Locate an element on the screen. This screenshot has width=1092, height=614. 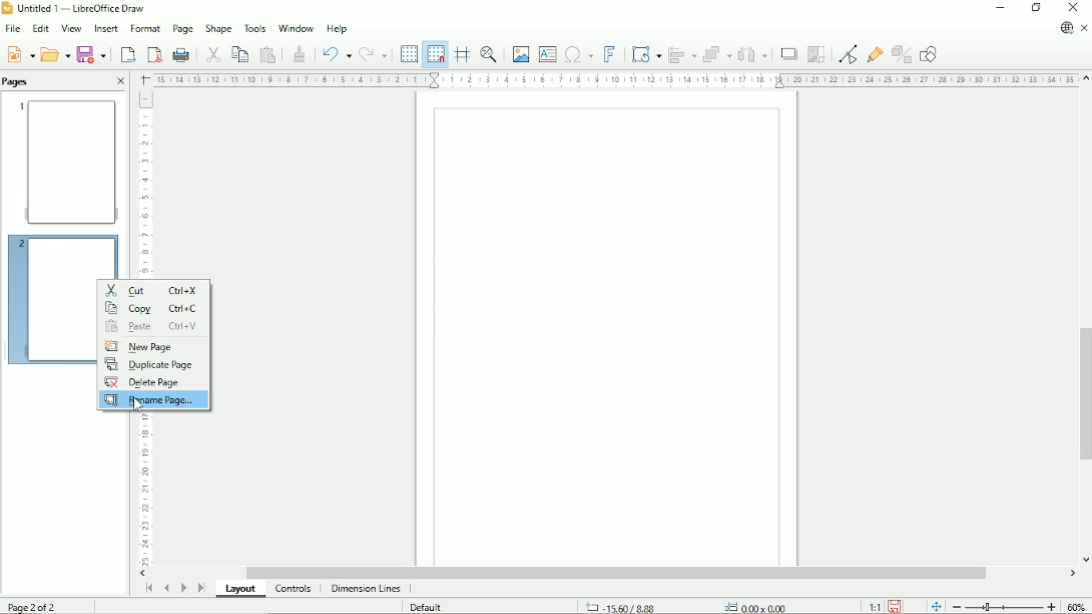
Insert fontwork text is located at coordinates (610, 53).